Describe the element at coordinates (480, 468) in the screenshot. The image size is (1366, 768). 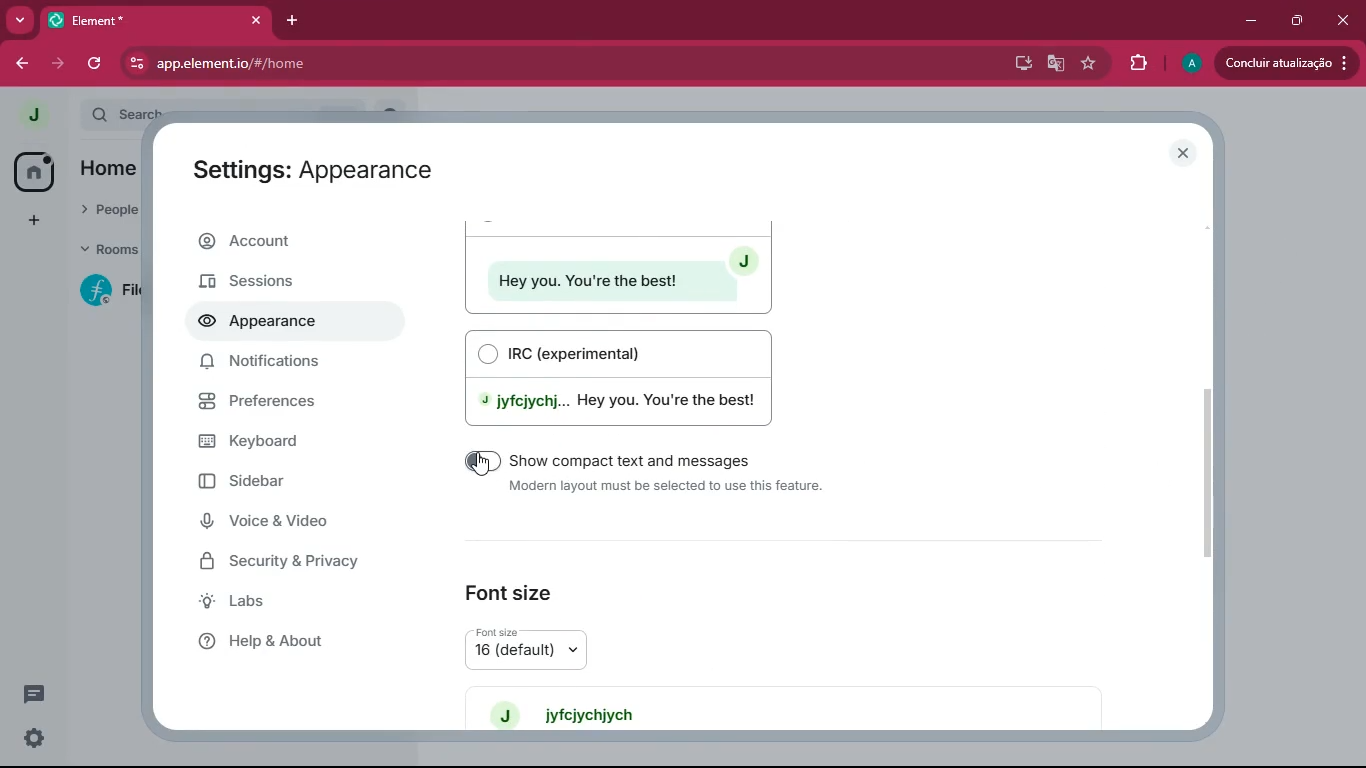
I see `cursor` at that location.